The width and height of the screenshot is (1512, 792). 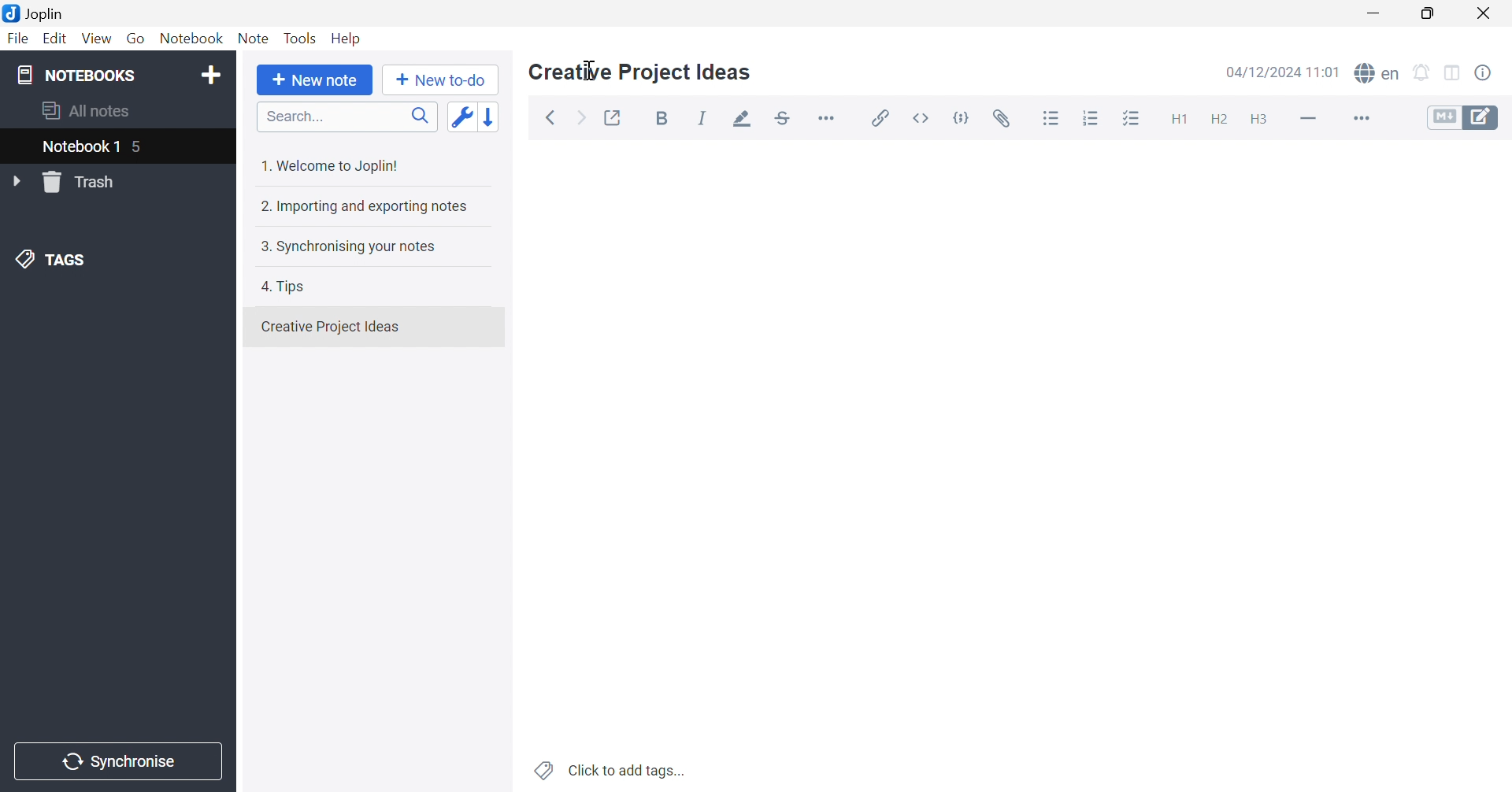 What do you see at coordinates (79, 148) in the screenshot?
I see `Notebook 1` at bounding box center [79, 148].